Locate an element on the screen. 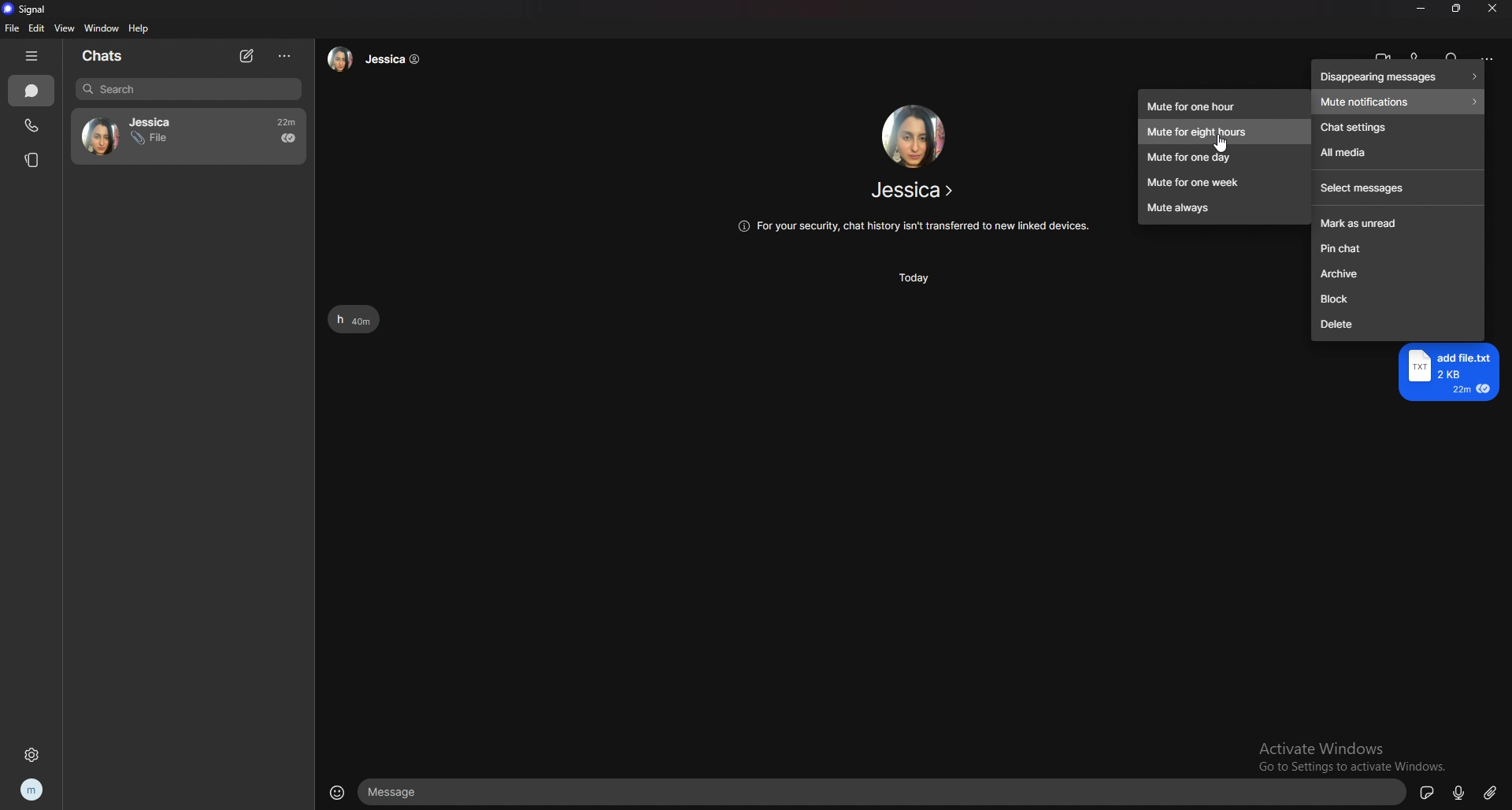 This screenshot has width=1512, height=810. avatar is located at coordinates (97, 134).